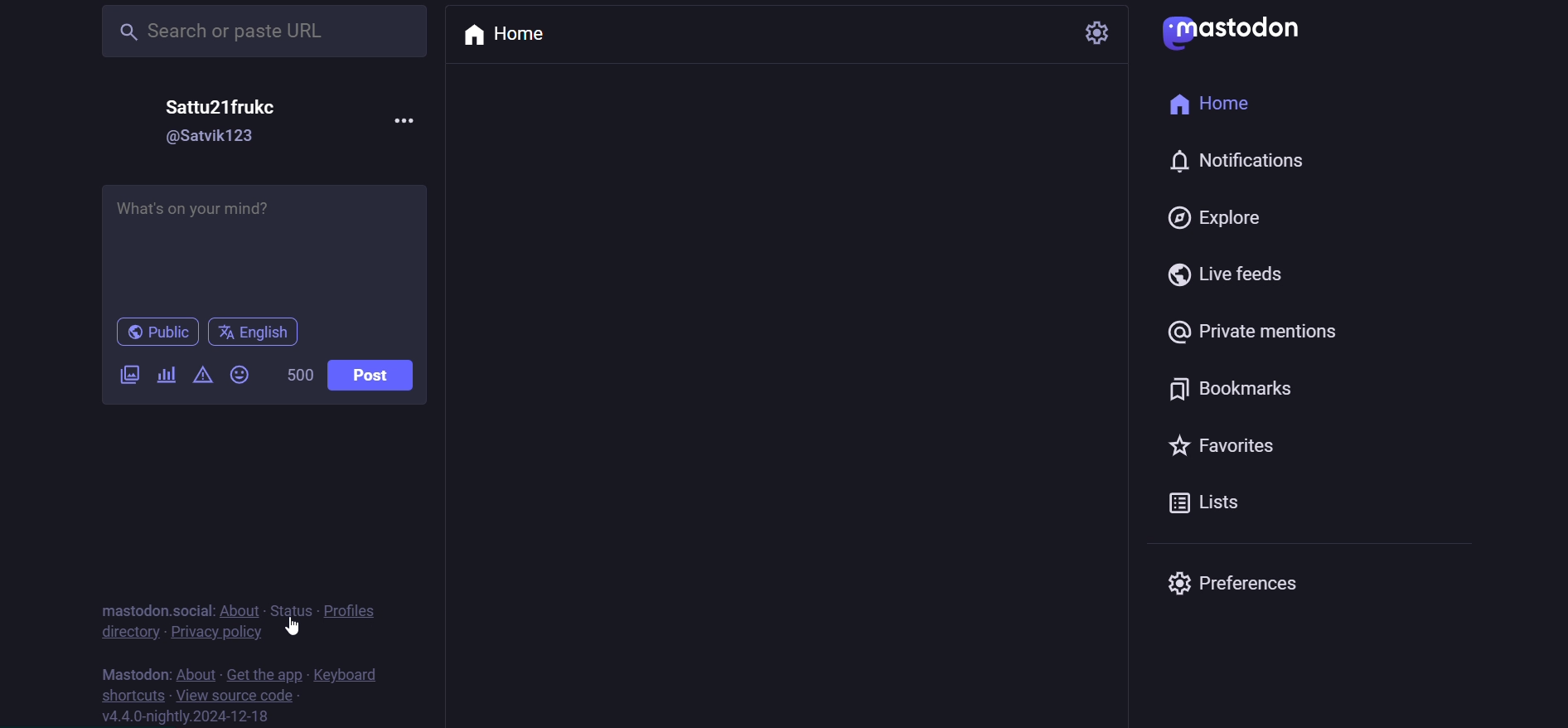 The height and width of the screenshot is (728, 1568). What do you see at coordinates (1221, 444) in the screenshot?
I see `favorite` at bounding box center [1221, 444].